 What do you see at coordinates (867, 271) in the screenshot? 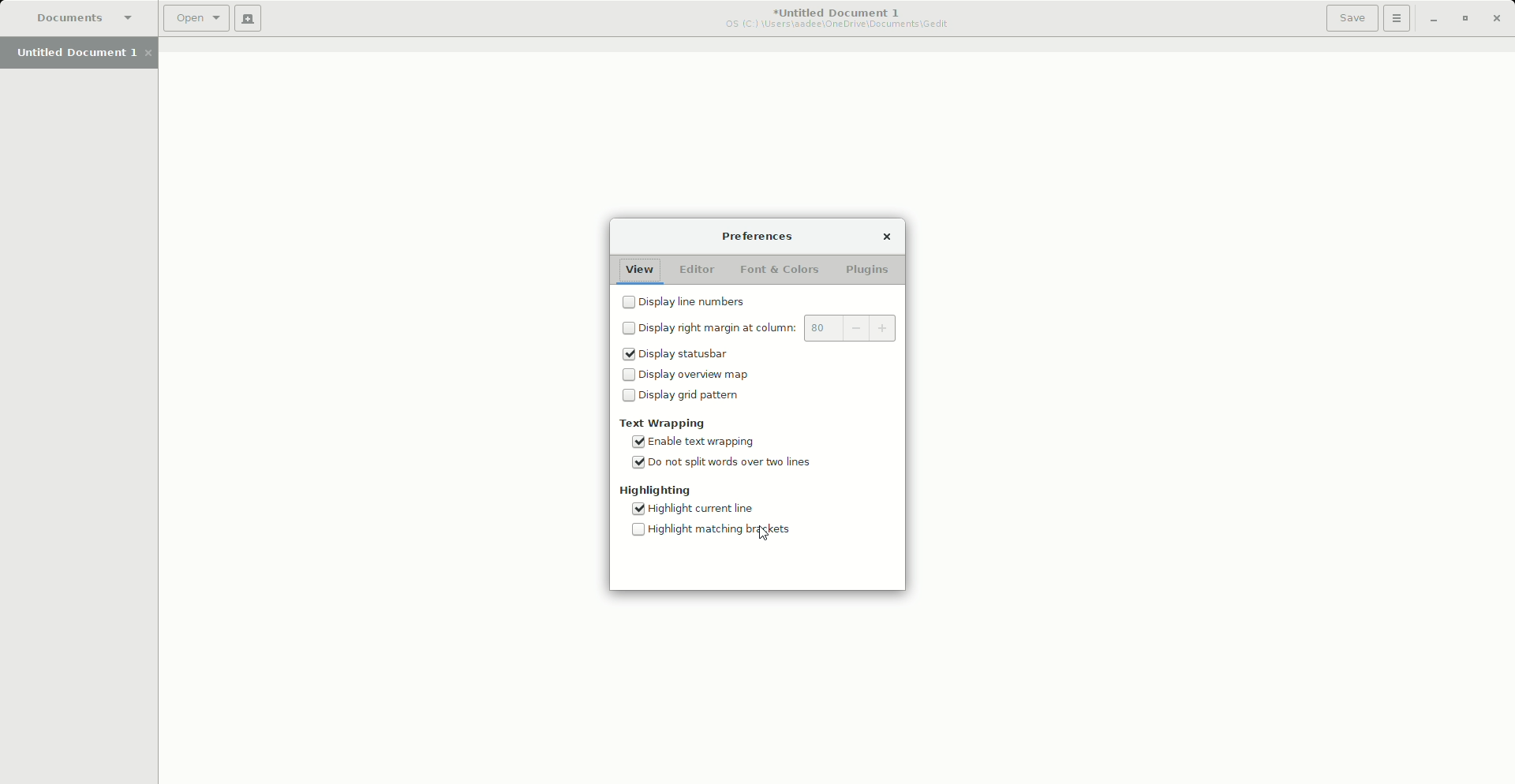
I see `Plugins` at bounding box center [867, 271].